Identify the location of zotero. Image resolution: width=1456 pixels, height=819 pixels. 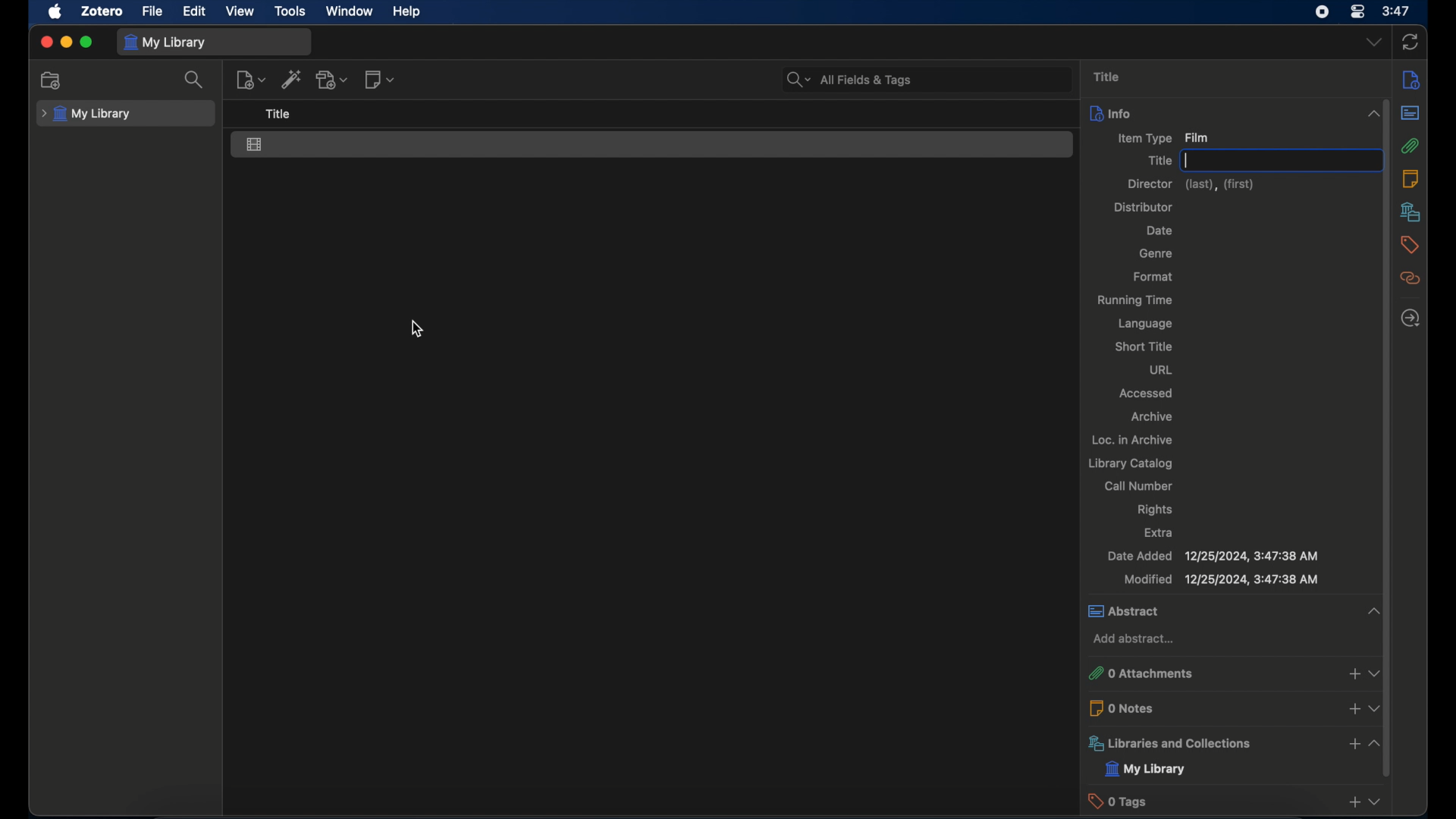
(103, 11).